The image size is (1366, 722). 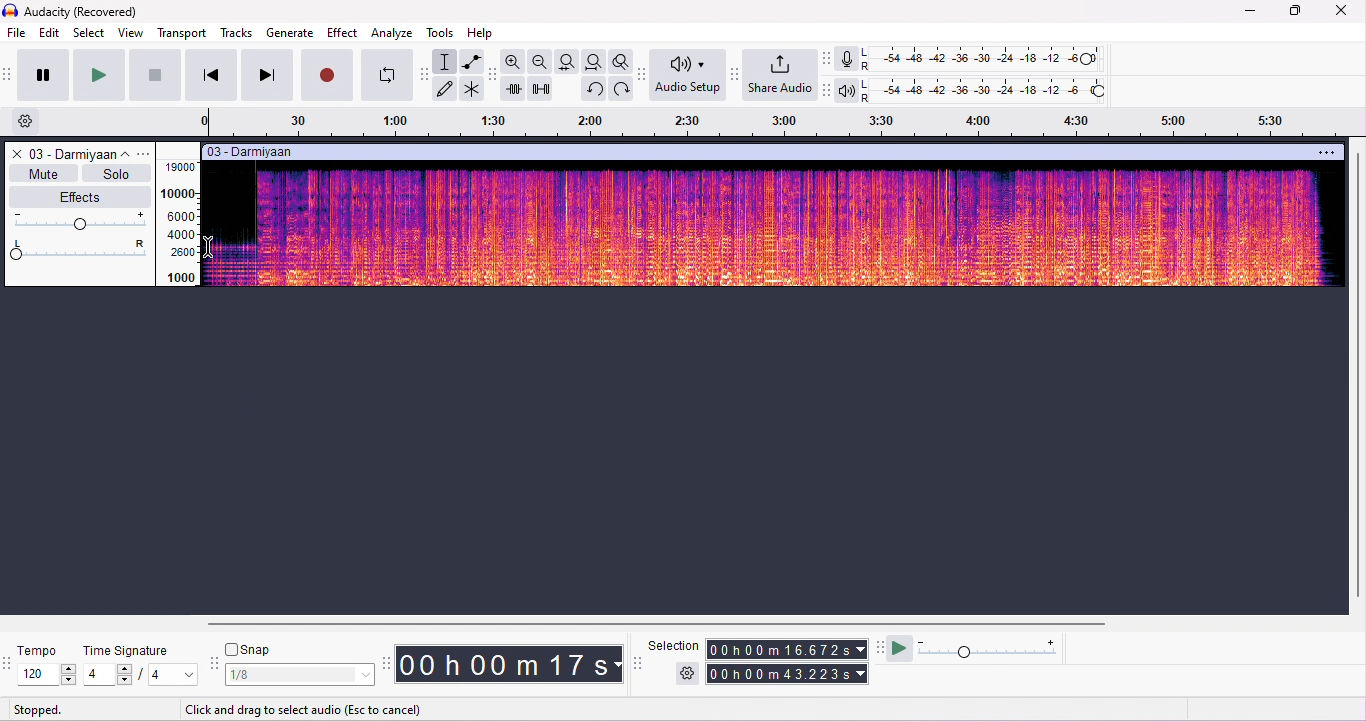 I want to click on select, so click(x=91, y=34).